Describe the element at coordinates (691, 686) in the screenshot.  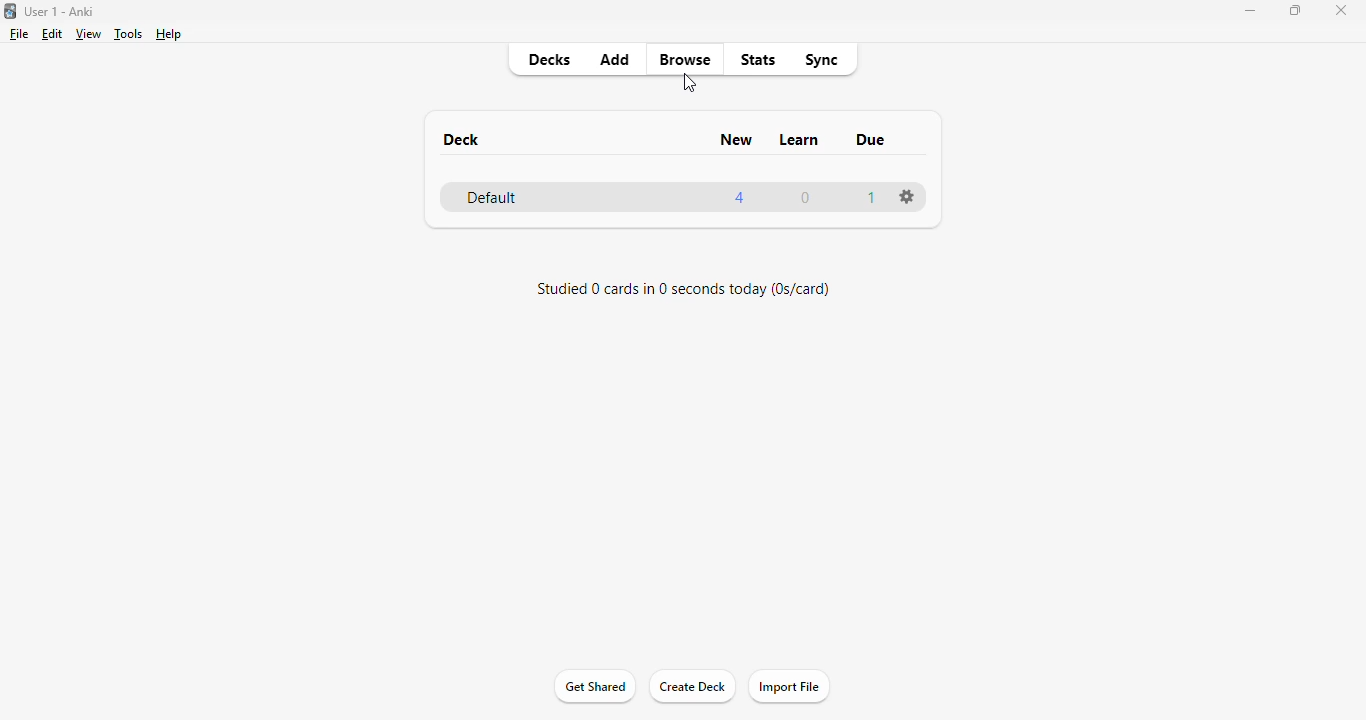
I see `create deck` at that location.